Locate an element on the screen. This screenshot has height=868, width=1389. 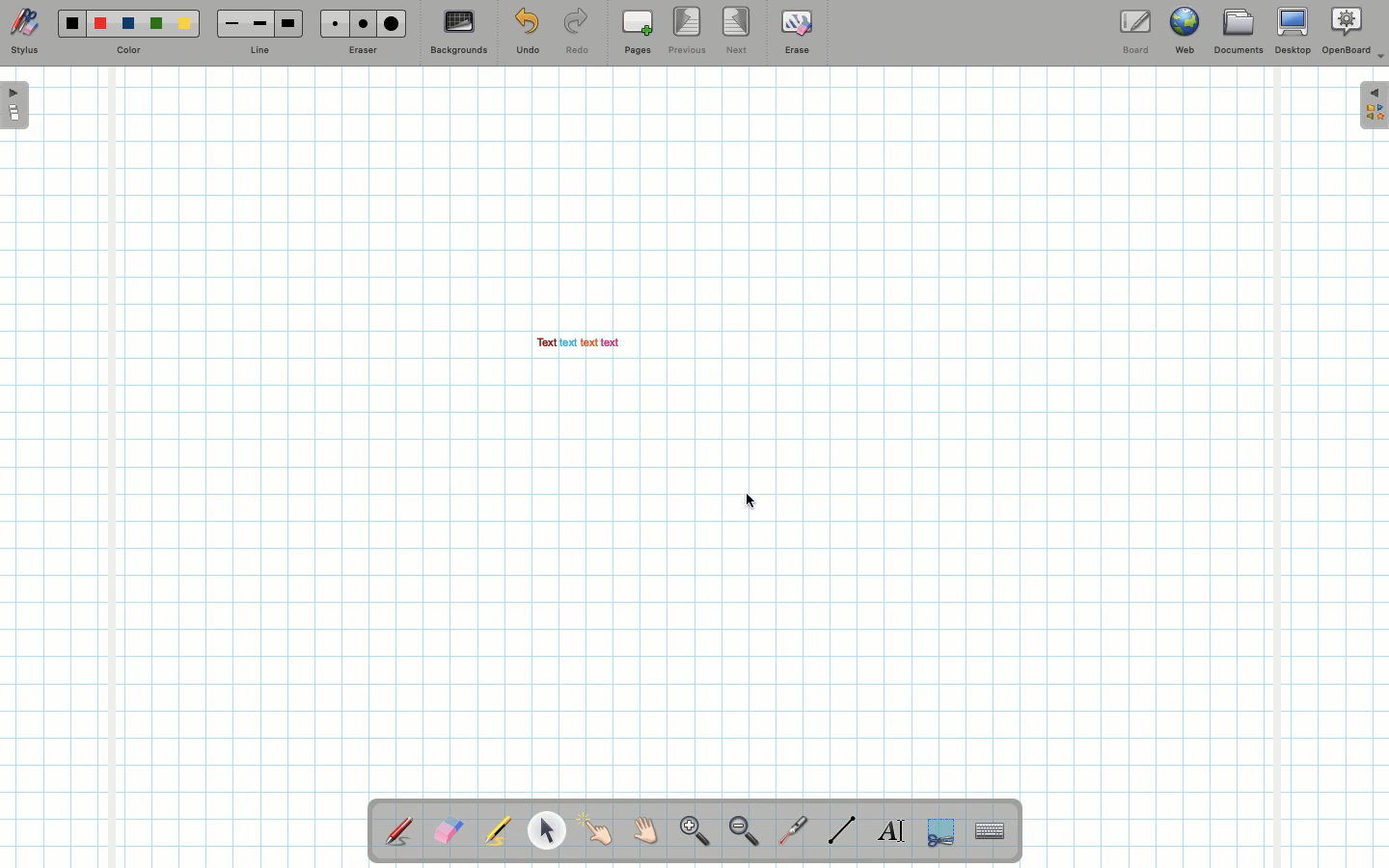
Write text is located at coordinates (893, 827).